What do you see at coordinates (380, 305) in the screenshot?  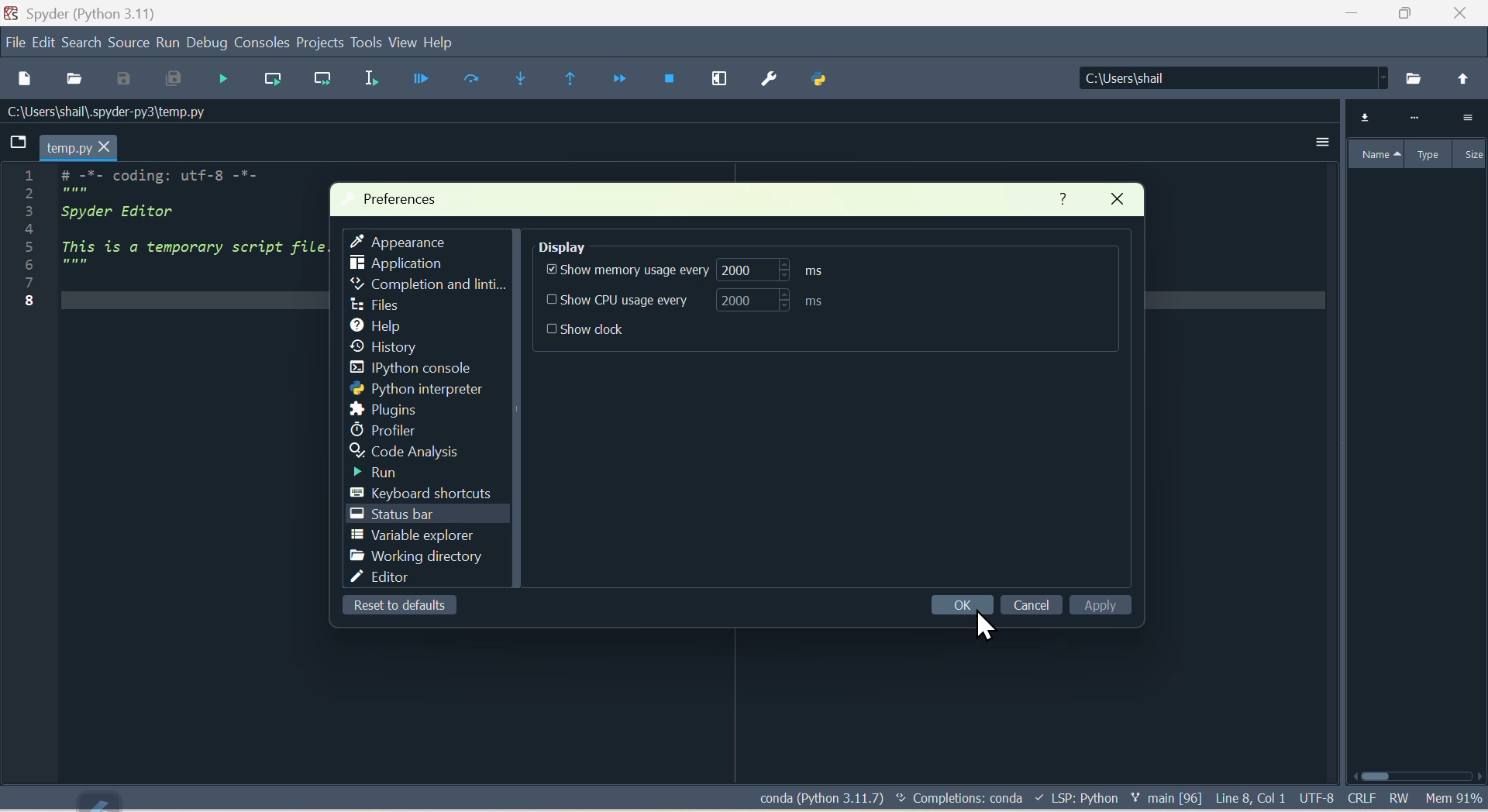 I see `` at bounding box center [380, 305].